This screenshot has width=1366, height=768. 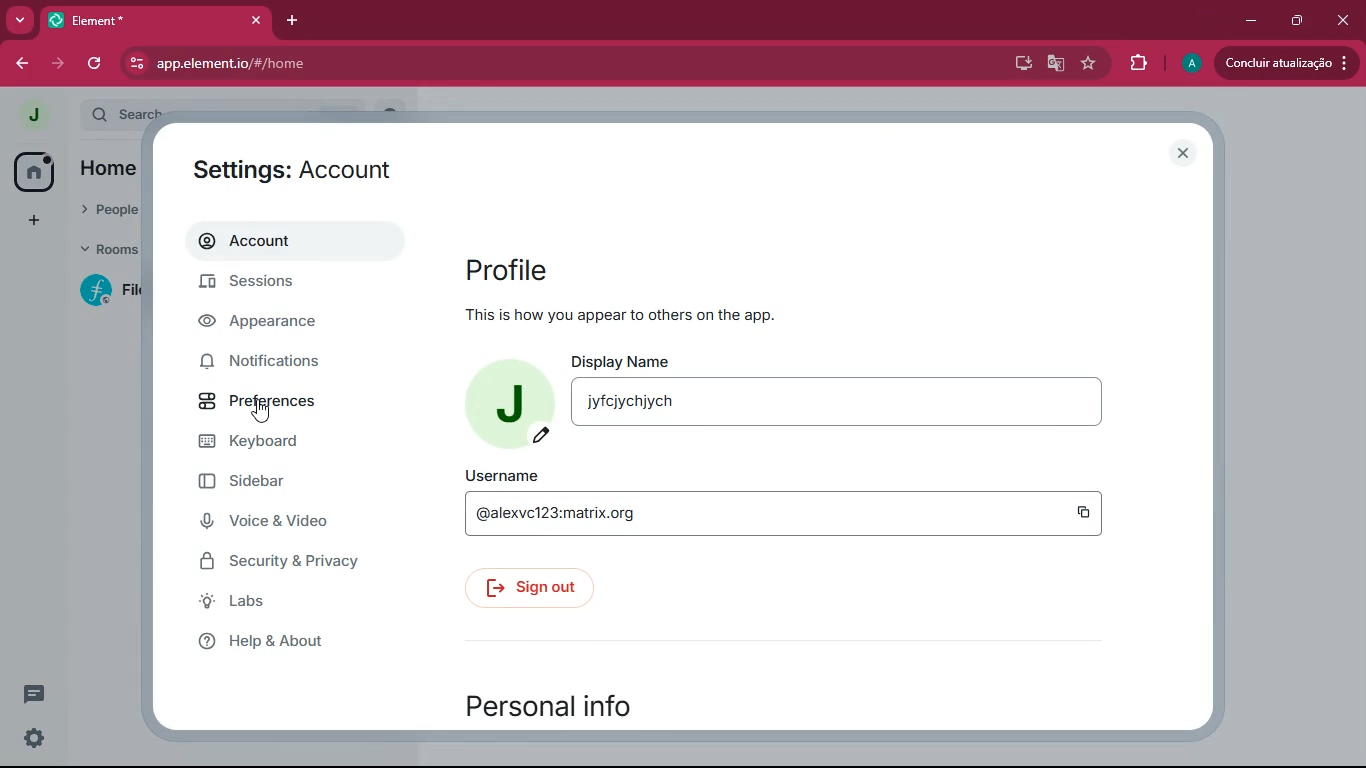 I want to click on google translate , so click(x=1052, y=65).